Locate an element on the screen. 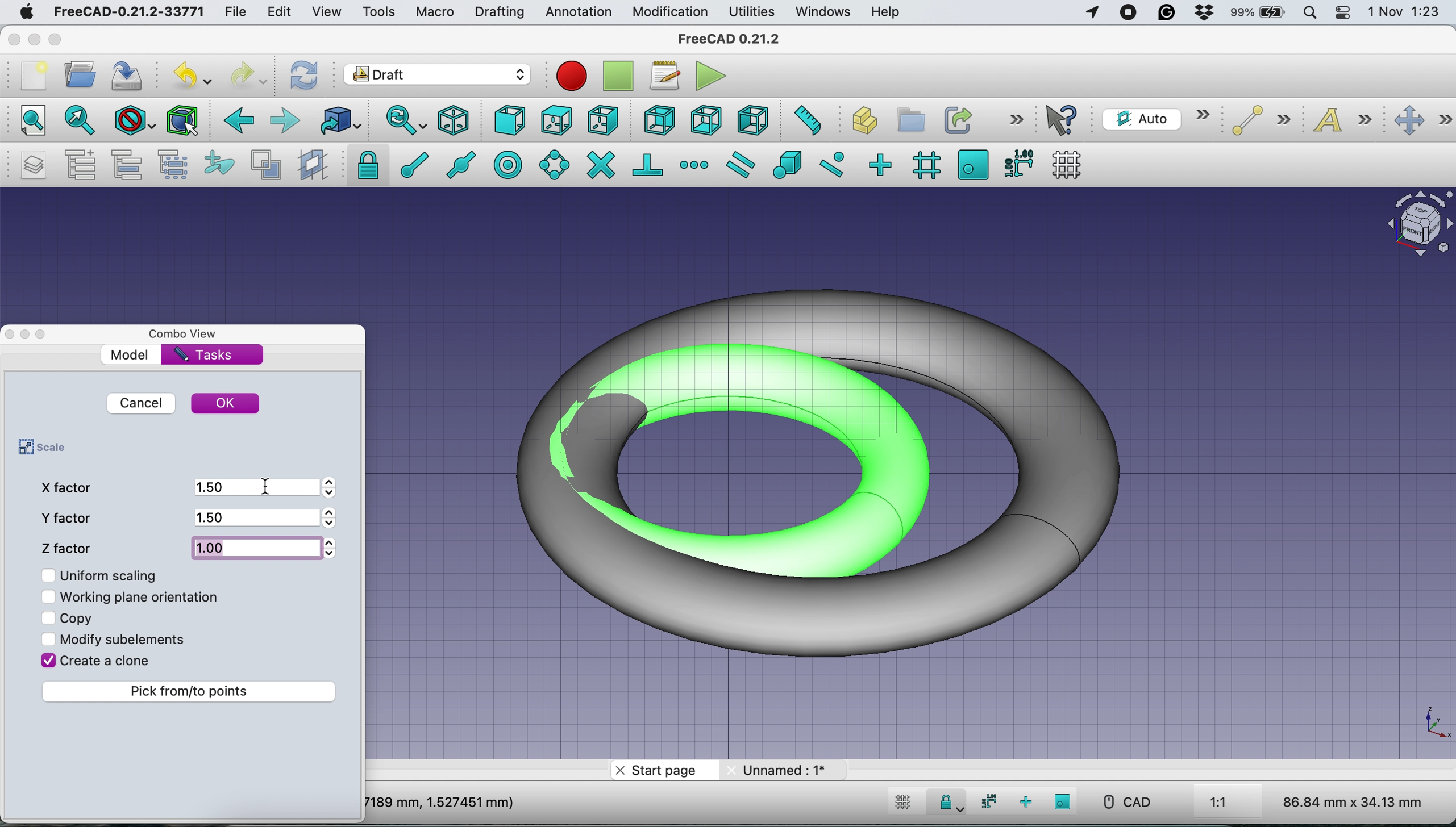  utilities is located at coordinates (753, 12).